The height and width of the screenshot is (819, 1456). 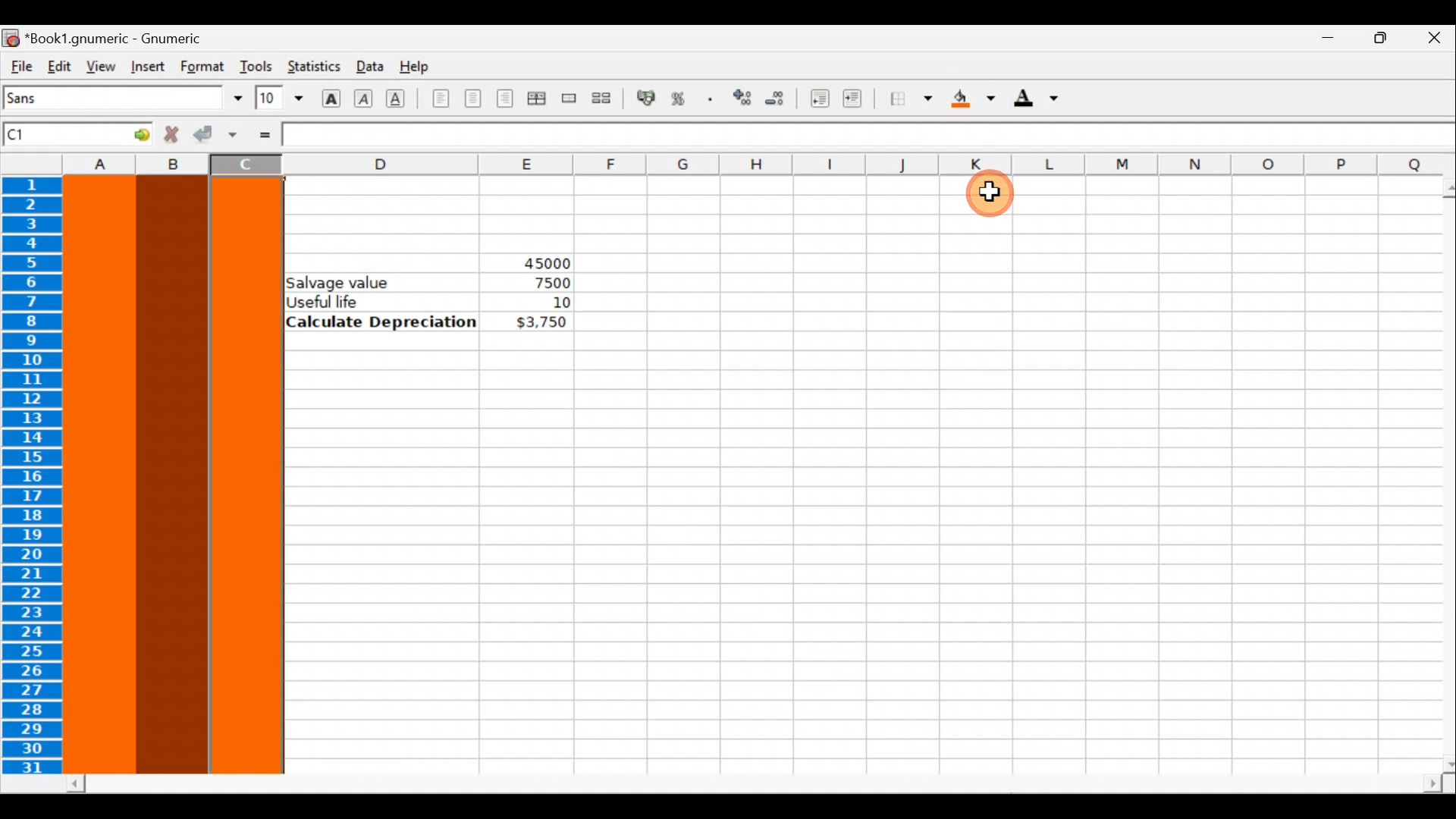 I want to click on Decrease indent, align contents to the left, so click(x=815, y=99).